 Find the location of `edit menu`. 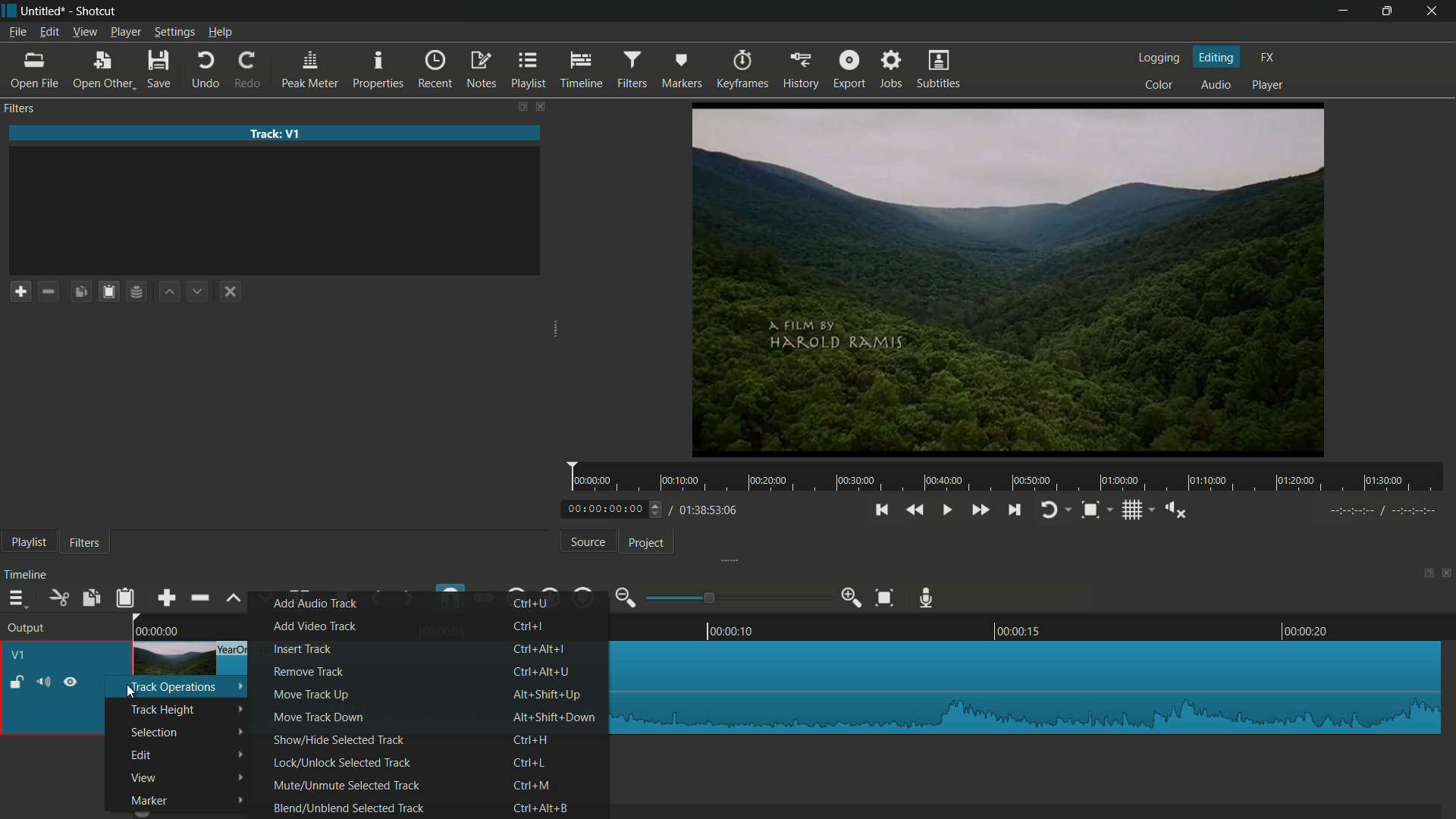

edit menu is located at coordinates (49, 32).